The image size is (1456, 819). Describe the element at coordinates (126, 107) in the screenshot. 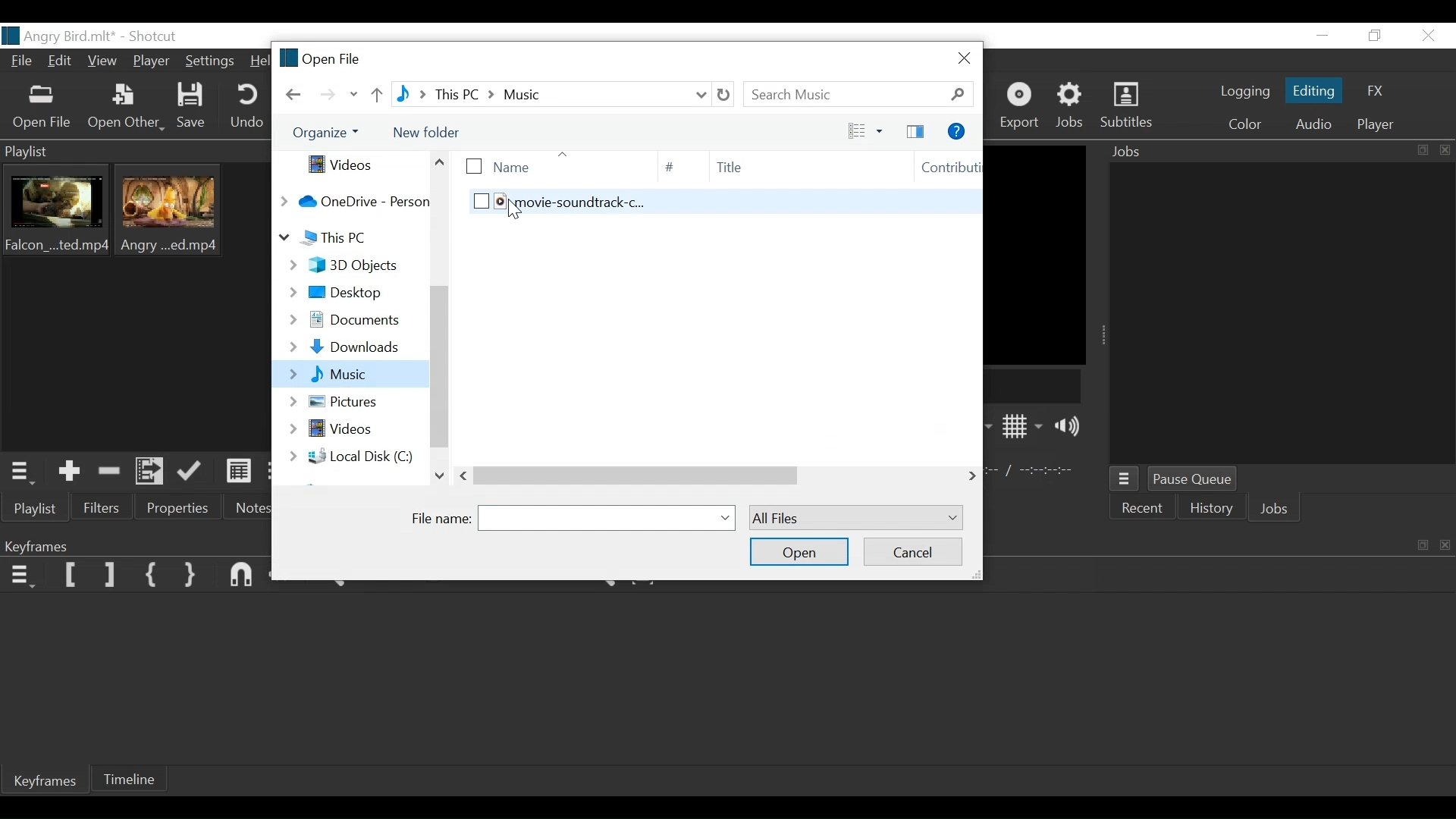

I see `Open Other` at that location.